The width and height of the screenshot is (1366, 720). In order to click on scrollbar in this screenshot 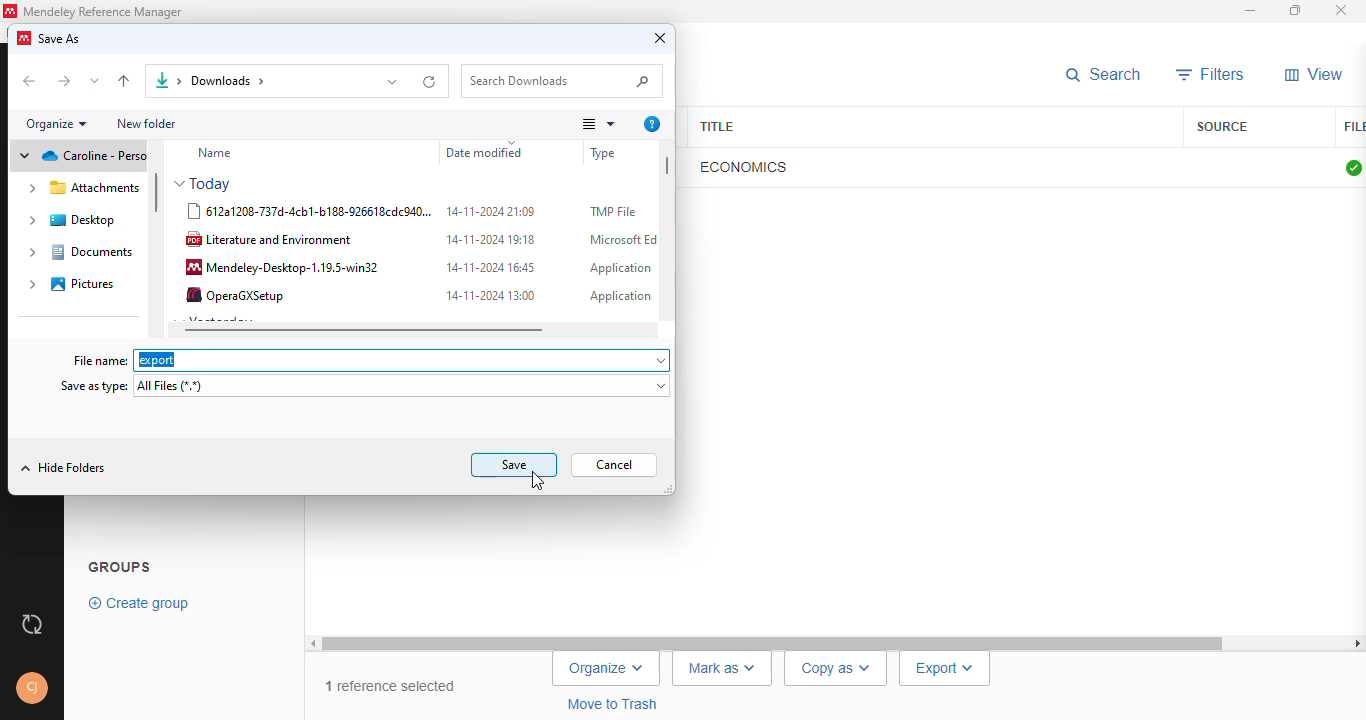, I will do `click(835, 643)`.